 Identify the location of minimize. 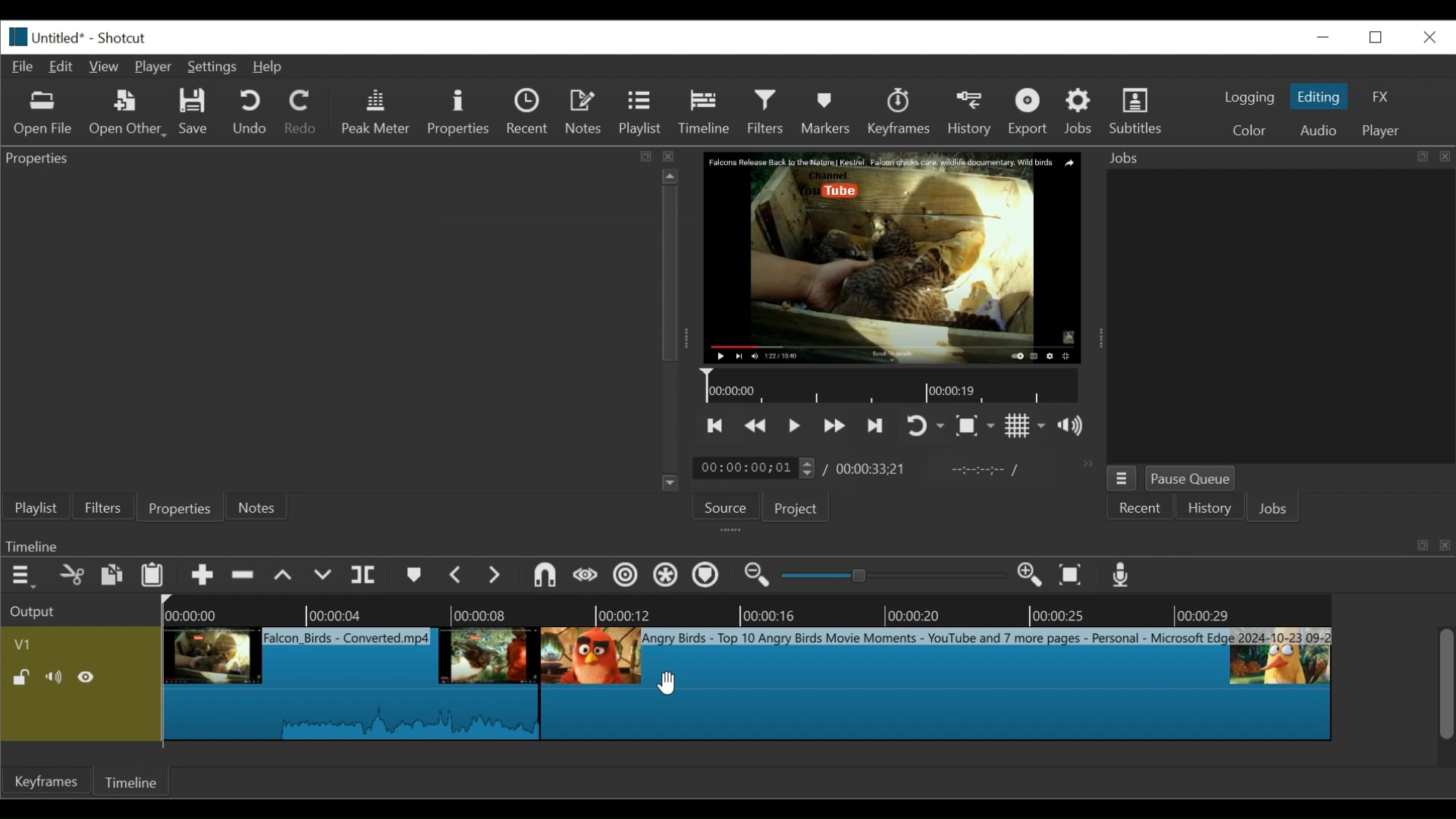
(1322, 38).